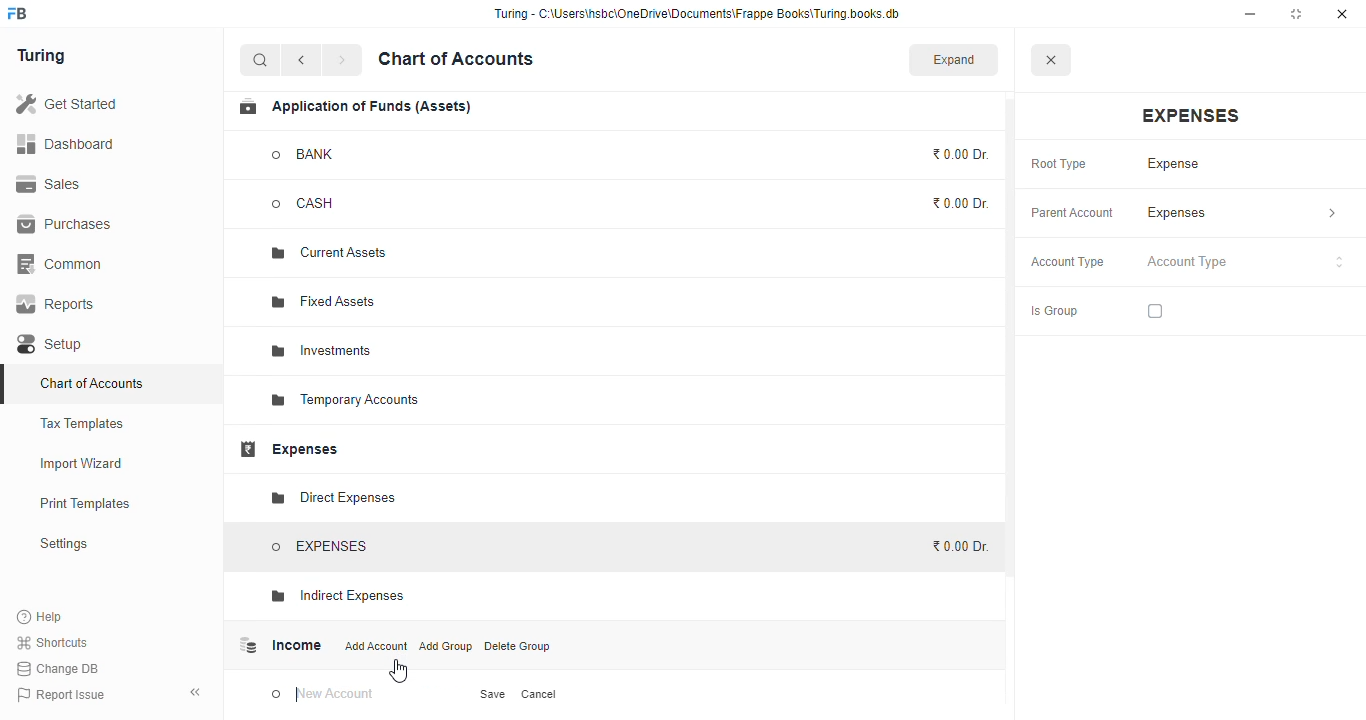  What do you see at coordinates (345, 401) in the screenshot?
I see `temporary accounts` at bounding box center [345, 401].